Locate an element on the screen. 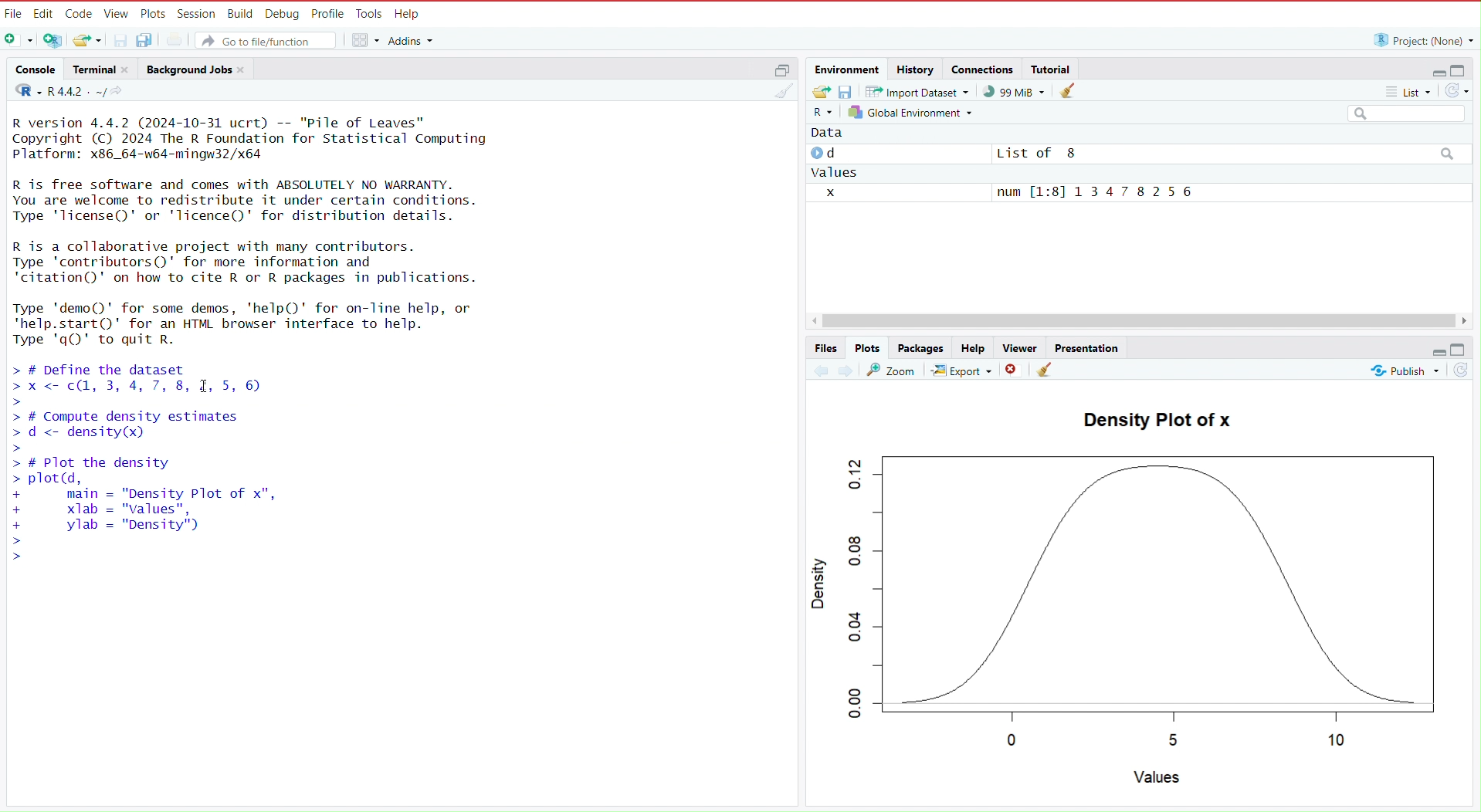  clear objects from the workspace is located at coordinates (1068, 90).